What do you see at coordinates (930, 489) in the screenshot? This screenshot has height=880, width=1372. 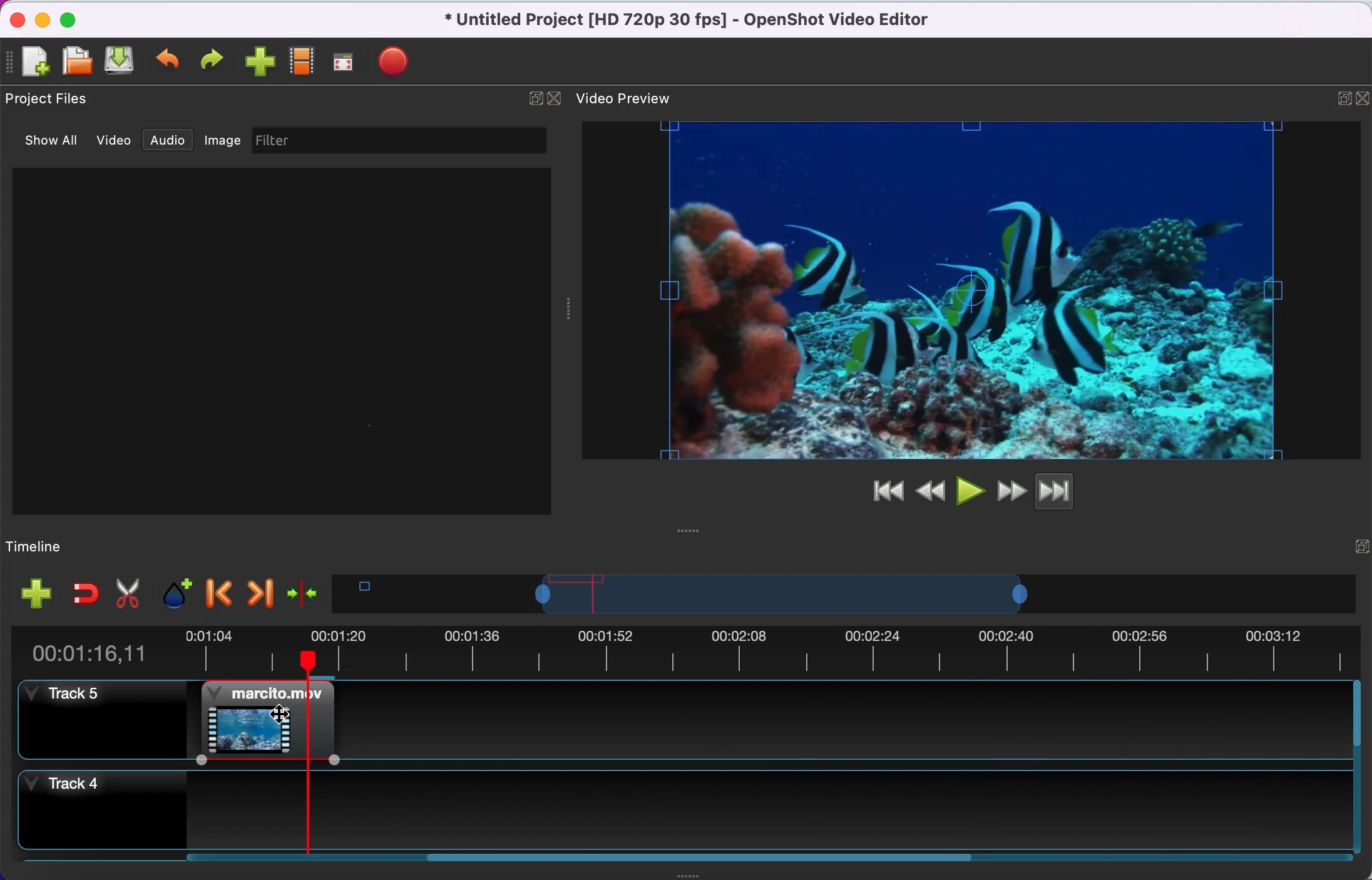 I see `rewind` at bounding box center [930, 489].